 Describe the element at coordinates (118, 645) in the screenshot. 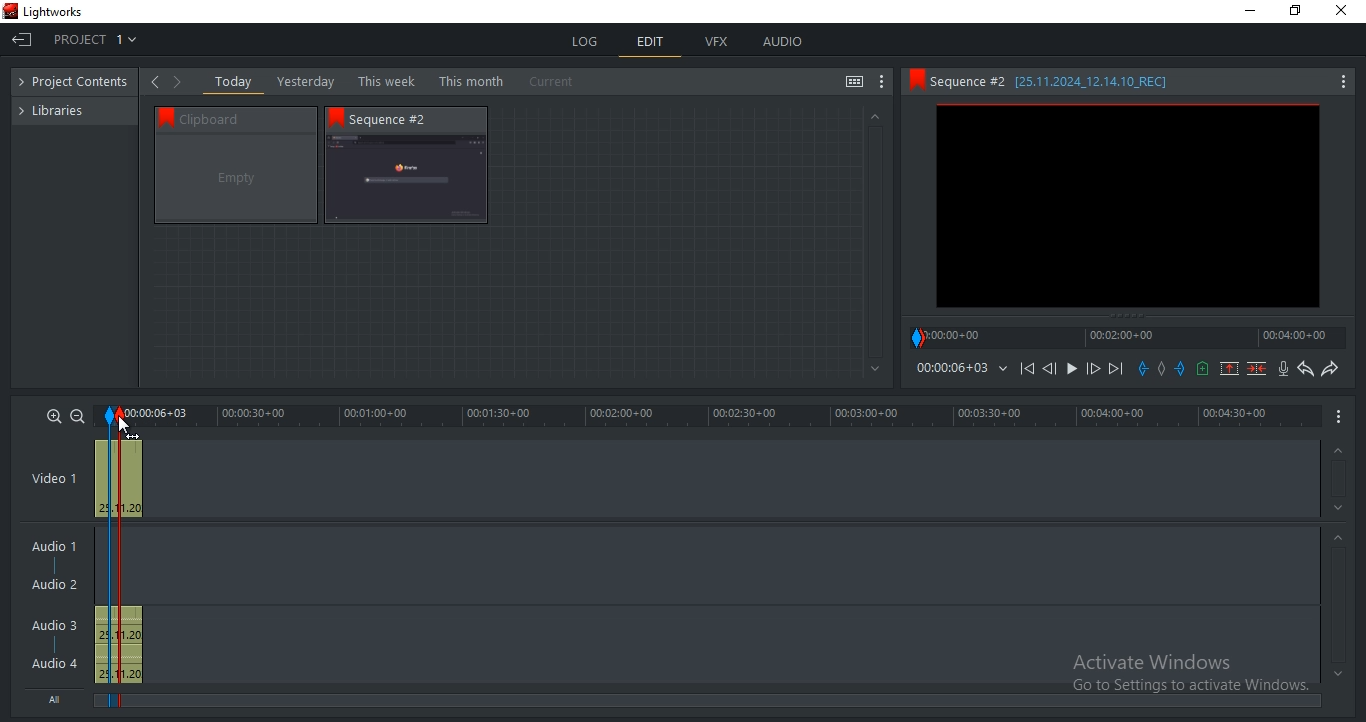

I see `audio` at that location.